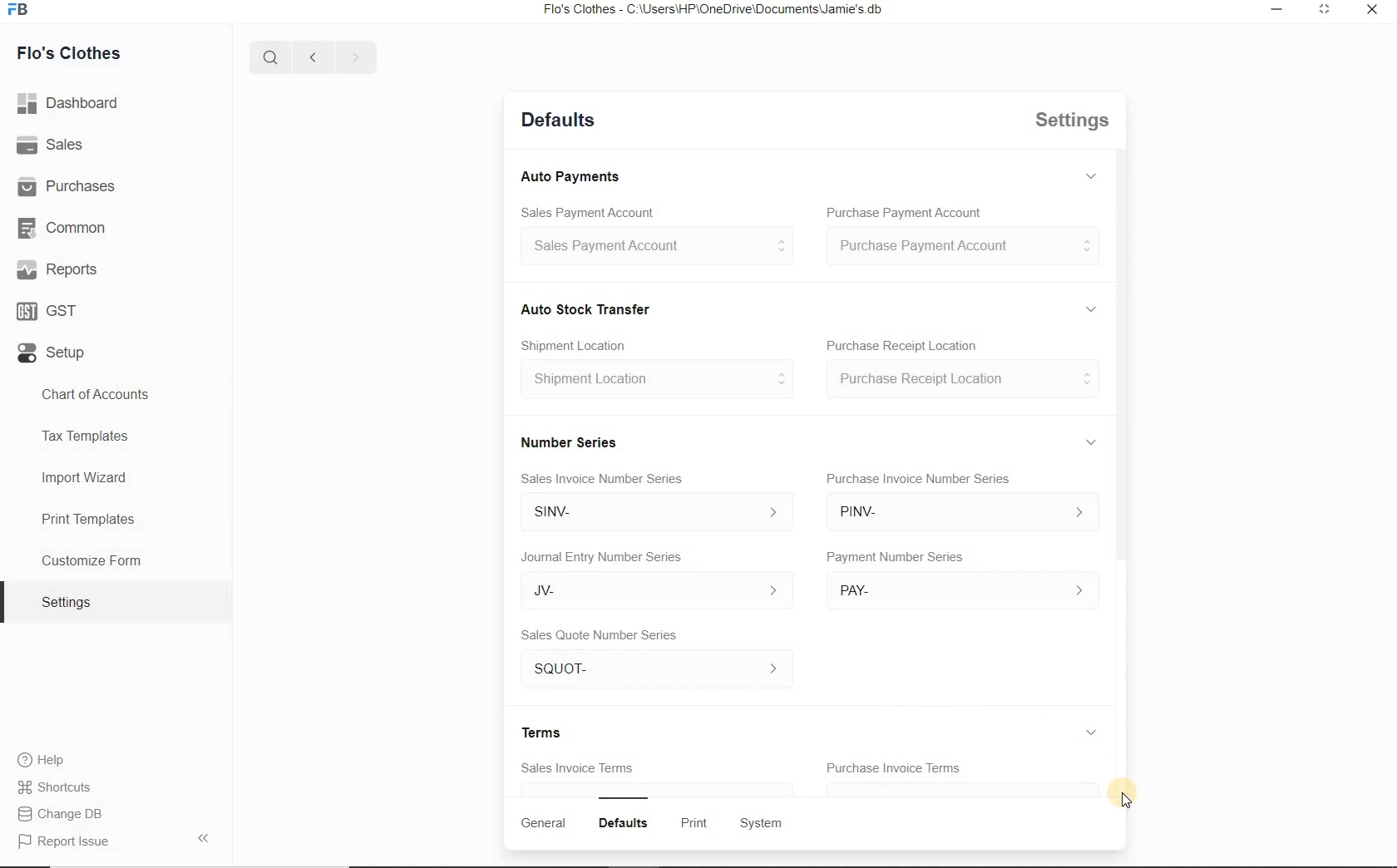  Describe the element at coordinates (657, 669) in the screenshot. I see `SQUOT-` at that location.